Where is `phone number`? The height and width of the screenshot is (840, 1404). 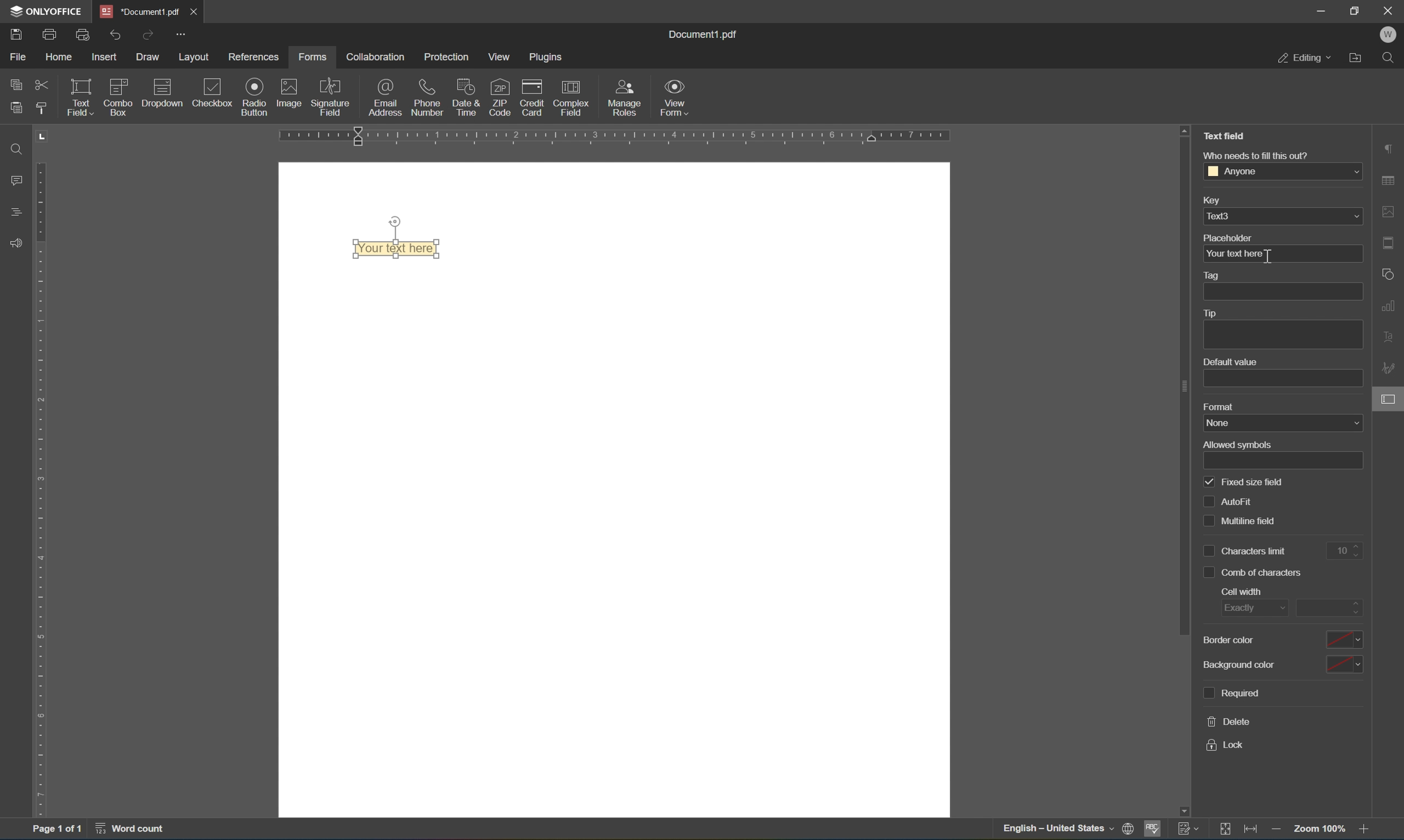
phone number is located at coordinates (427, 97).